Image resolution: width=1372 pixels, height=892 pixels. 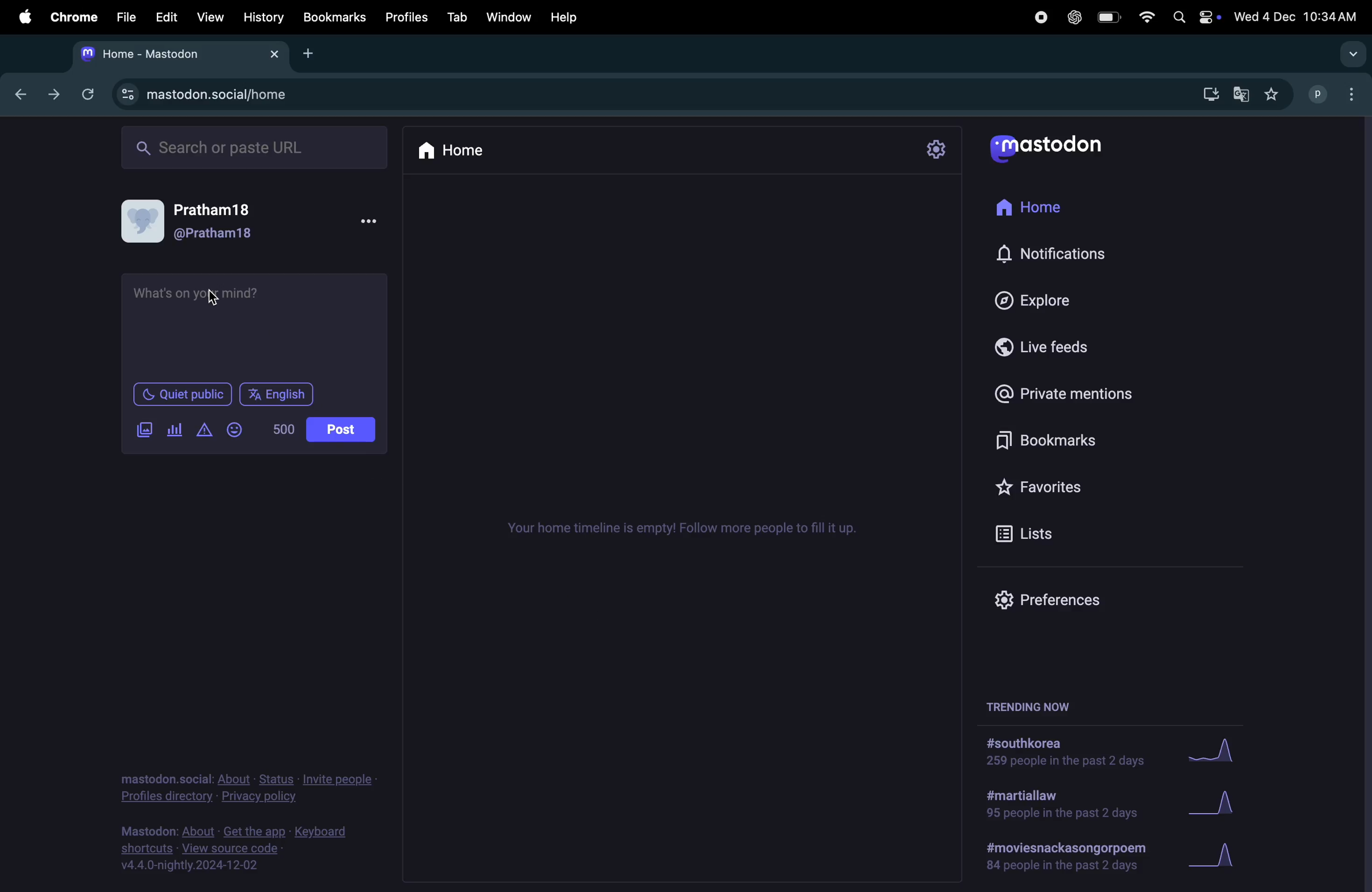 What do you see at coordinates (574, 14) in the screenshot?
I see `help` at bounding box center [574, 14].